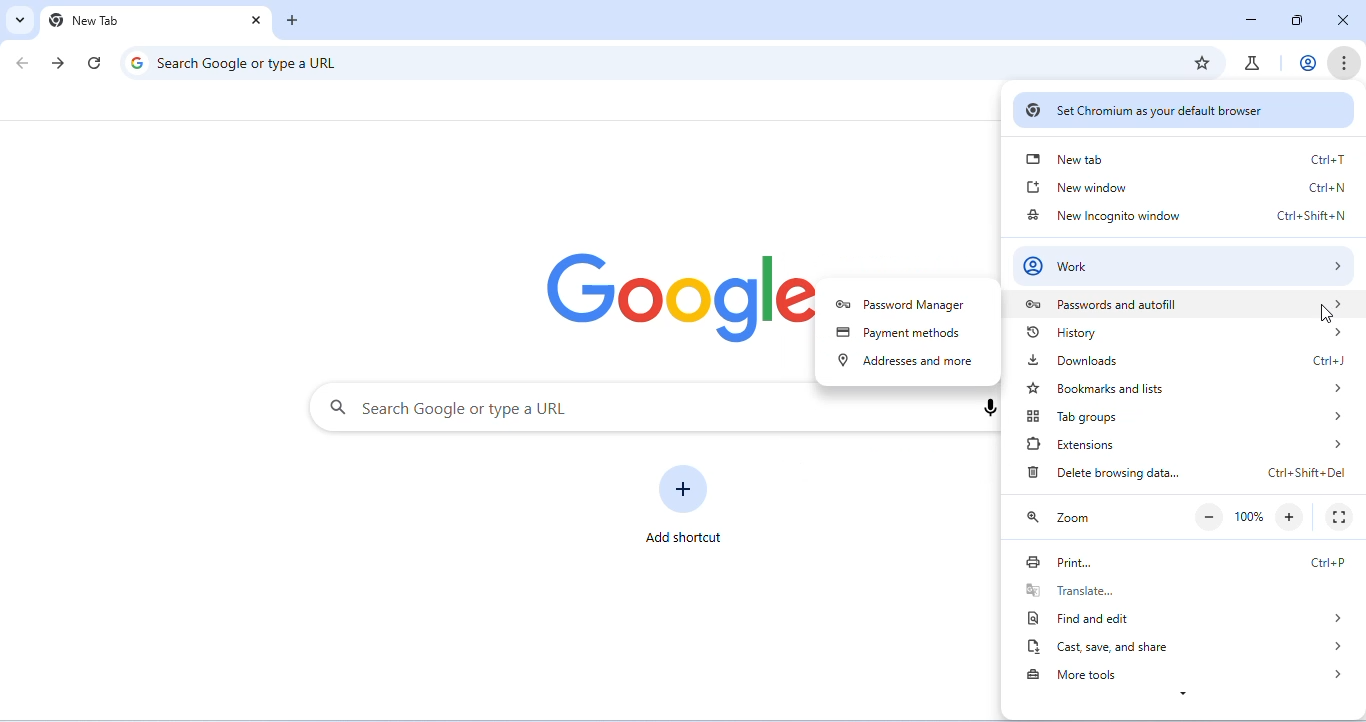  What do you see at coordinates (907, 306) in the screenshot?
I see `password manager` at bounding box center [907, 306].